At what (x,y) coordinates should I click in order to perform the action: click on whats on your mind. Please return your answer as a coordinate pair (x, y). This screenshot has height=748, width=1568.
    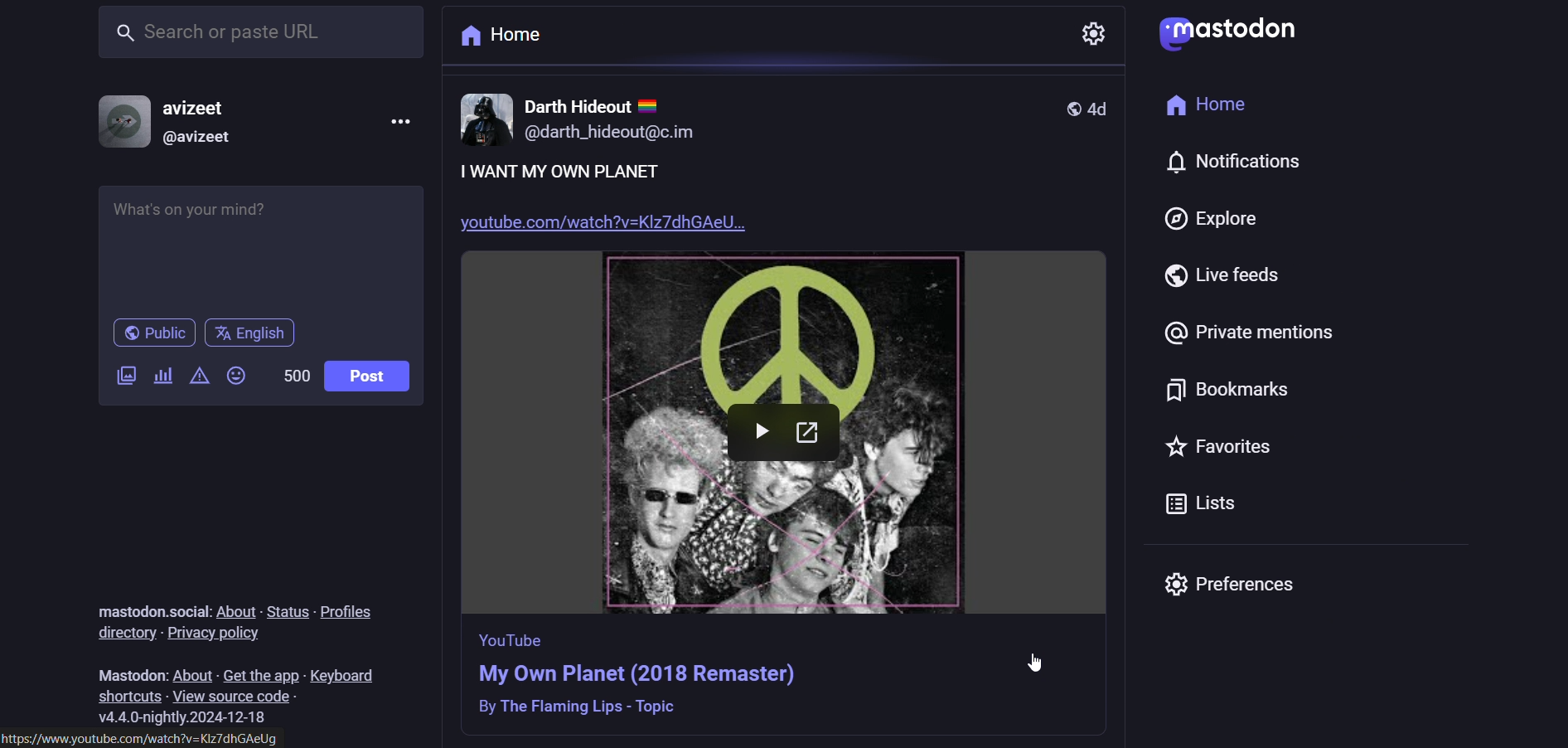
    Looking at the image, I should click on (259, 245).